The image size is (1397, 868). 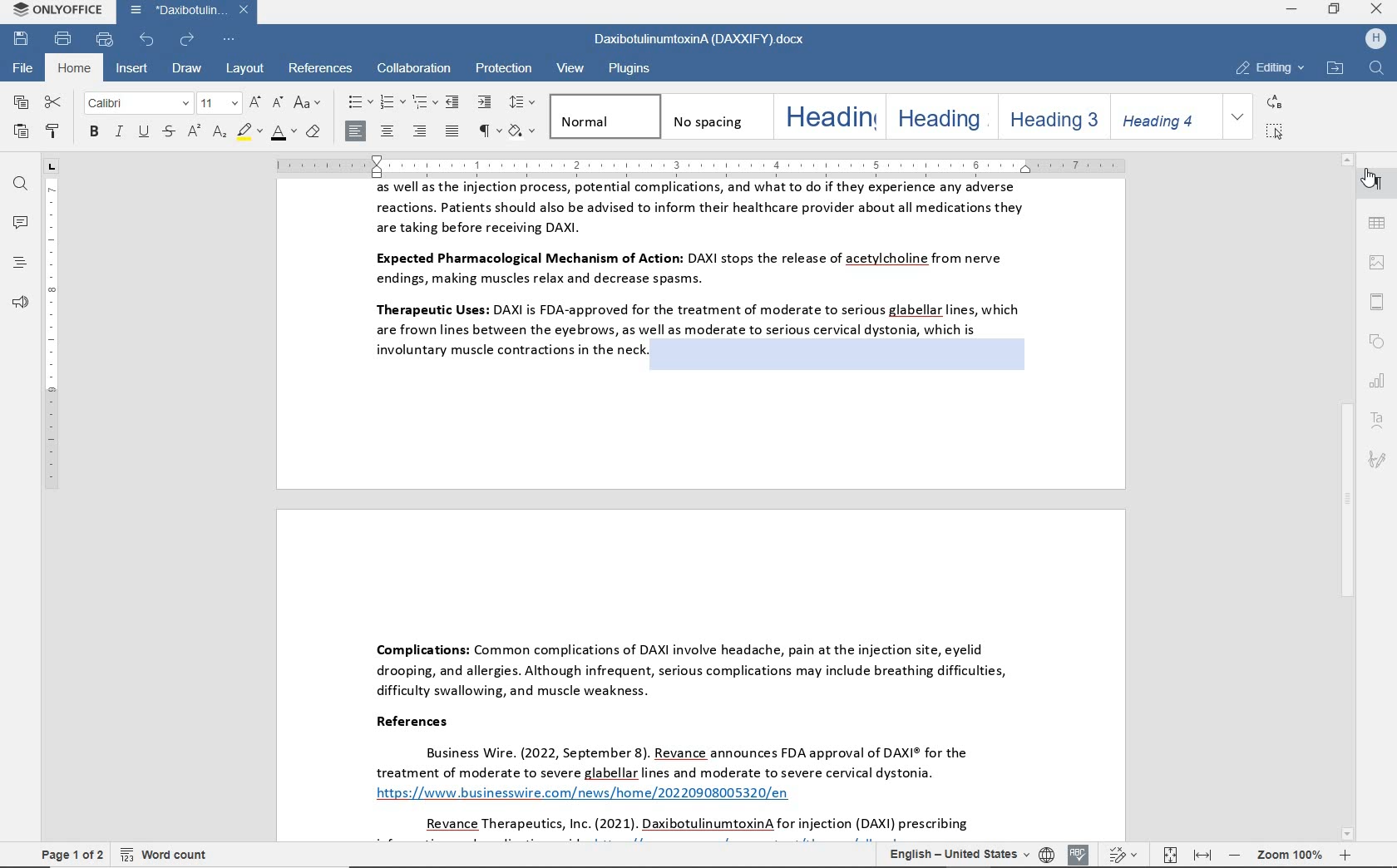 I want to click on open file location, so click(x=1335, y=69).